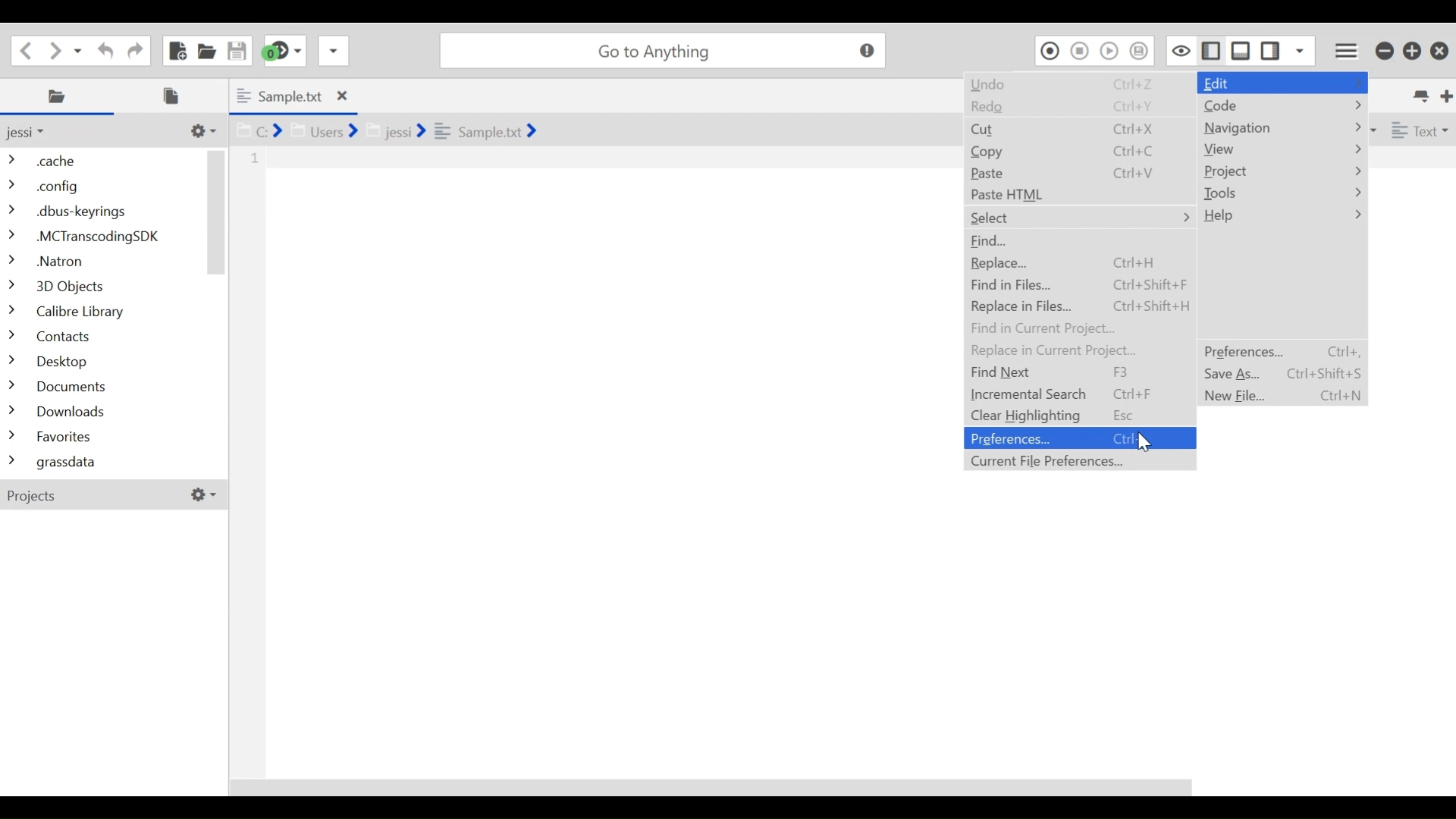 This screenshot has height=819, width=1456. Describe the element at coordinates (34, 132) in the screenshot. I see `Parent Folder` at that location.